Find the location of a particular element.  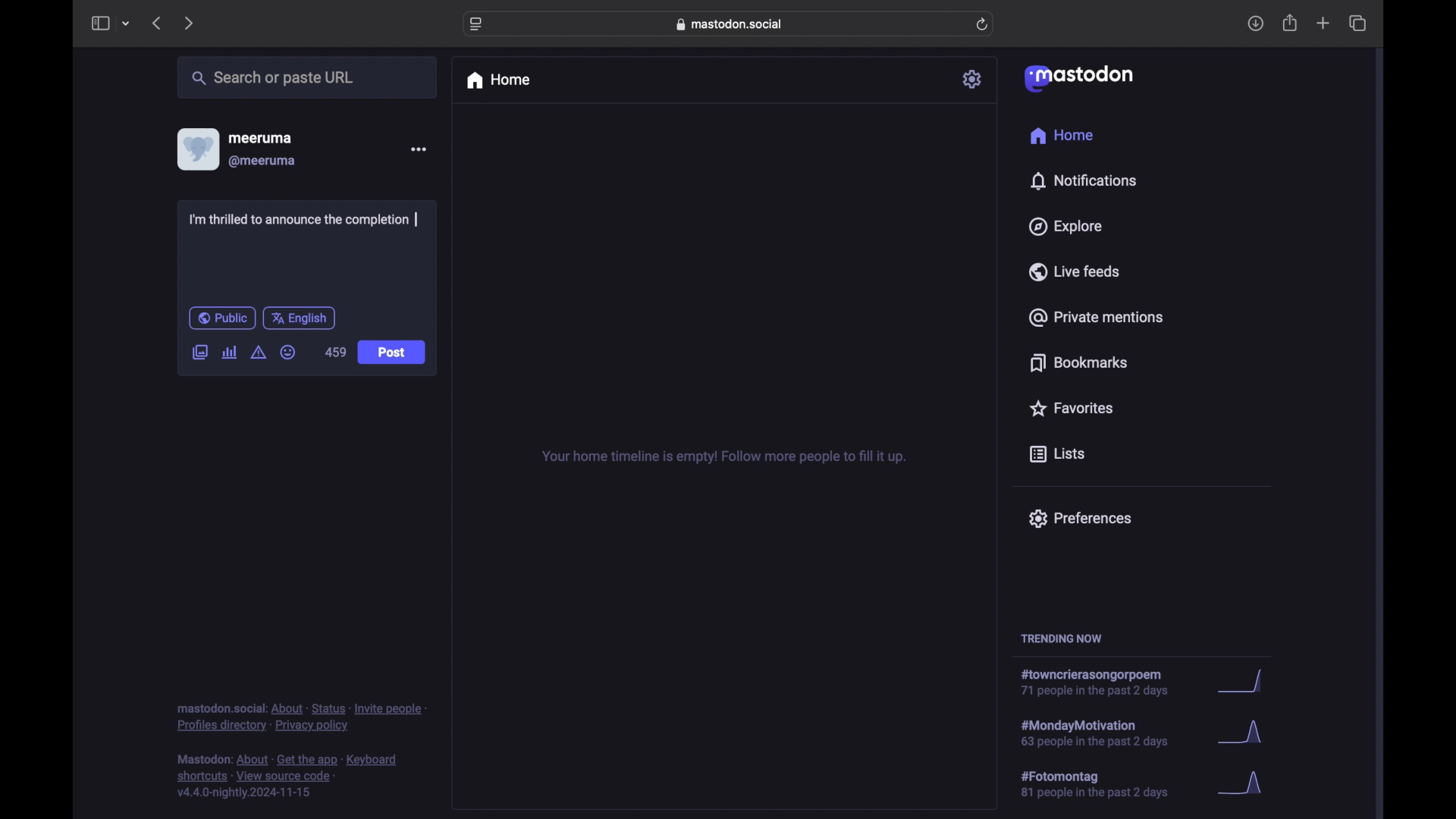

web address is located at coordinates (730, 24).